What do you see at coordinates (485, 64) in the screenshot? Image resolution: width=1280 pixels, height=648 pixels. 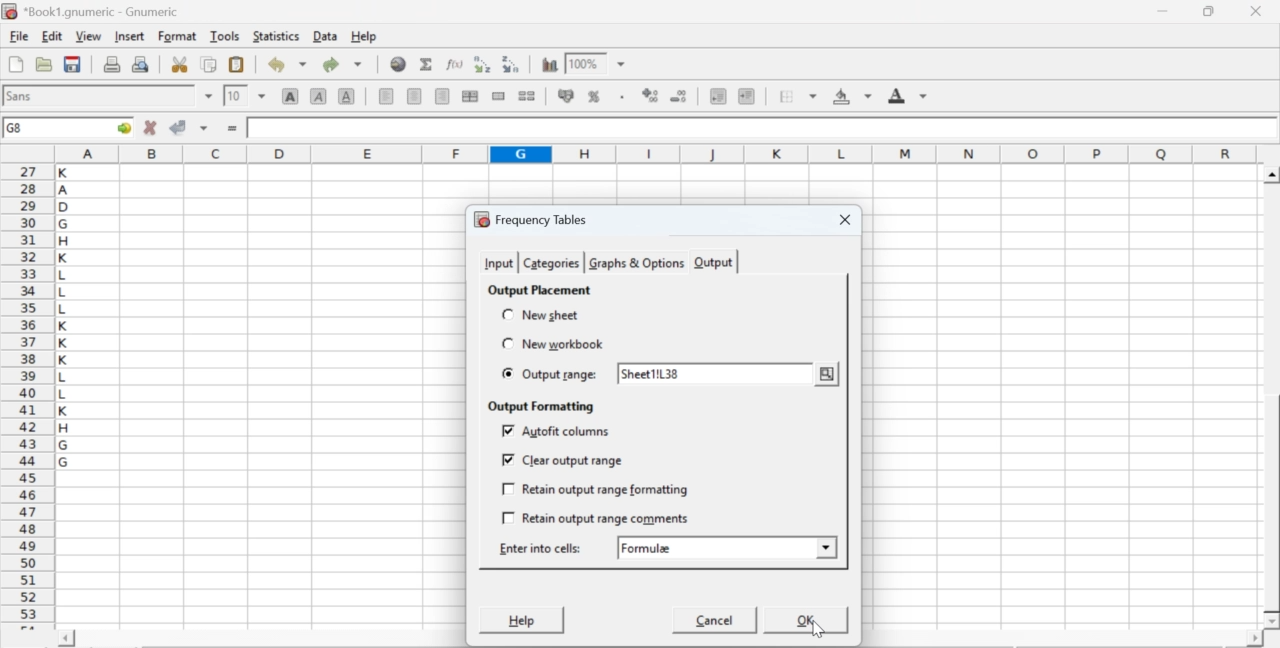 I see `Sort the selected region in ascending order based on the first column selected` at bounding box center [485, 64].